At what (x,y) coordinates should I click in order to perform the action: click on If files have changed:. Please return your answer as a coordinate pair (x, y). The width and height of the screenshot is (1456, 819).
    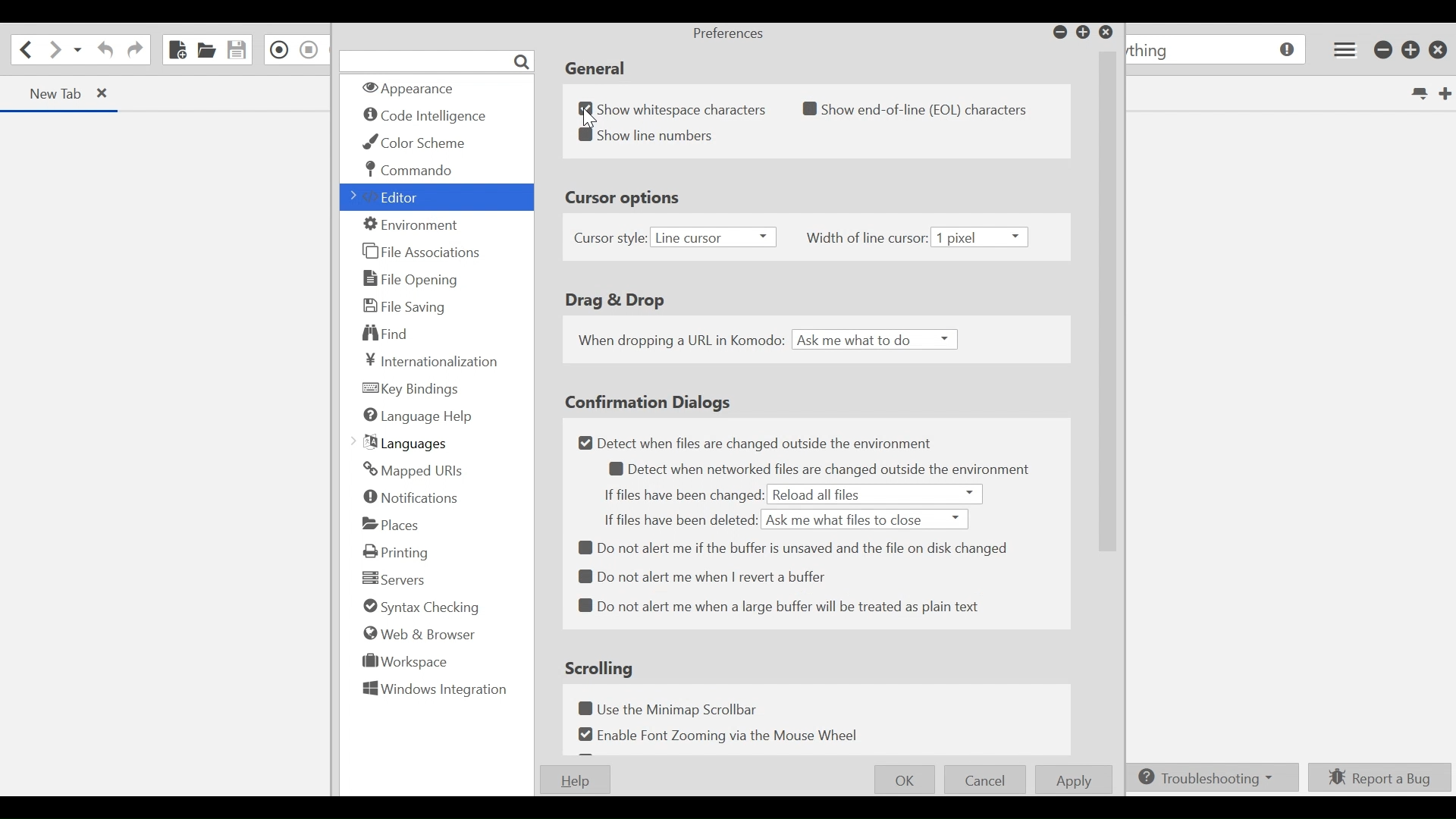
    Looking at the image, I should click on (682, 495).